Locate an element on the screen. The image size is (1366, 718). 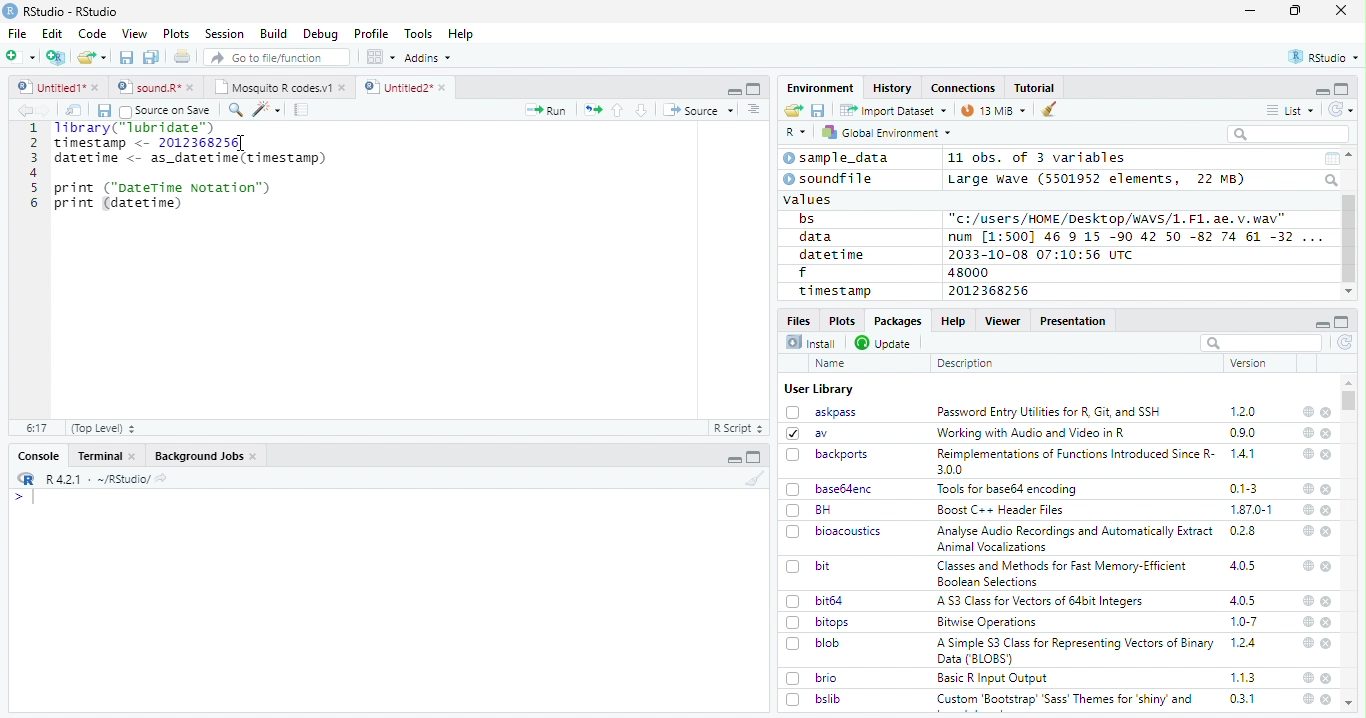
Save is located at coordinates (819, 111).